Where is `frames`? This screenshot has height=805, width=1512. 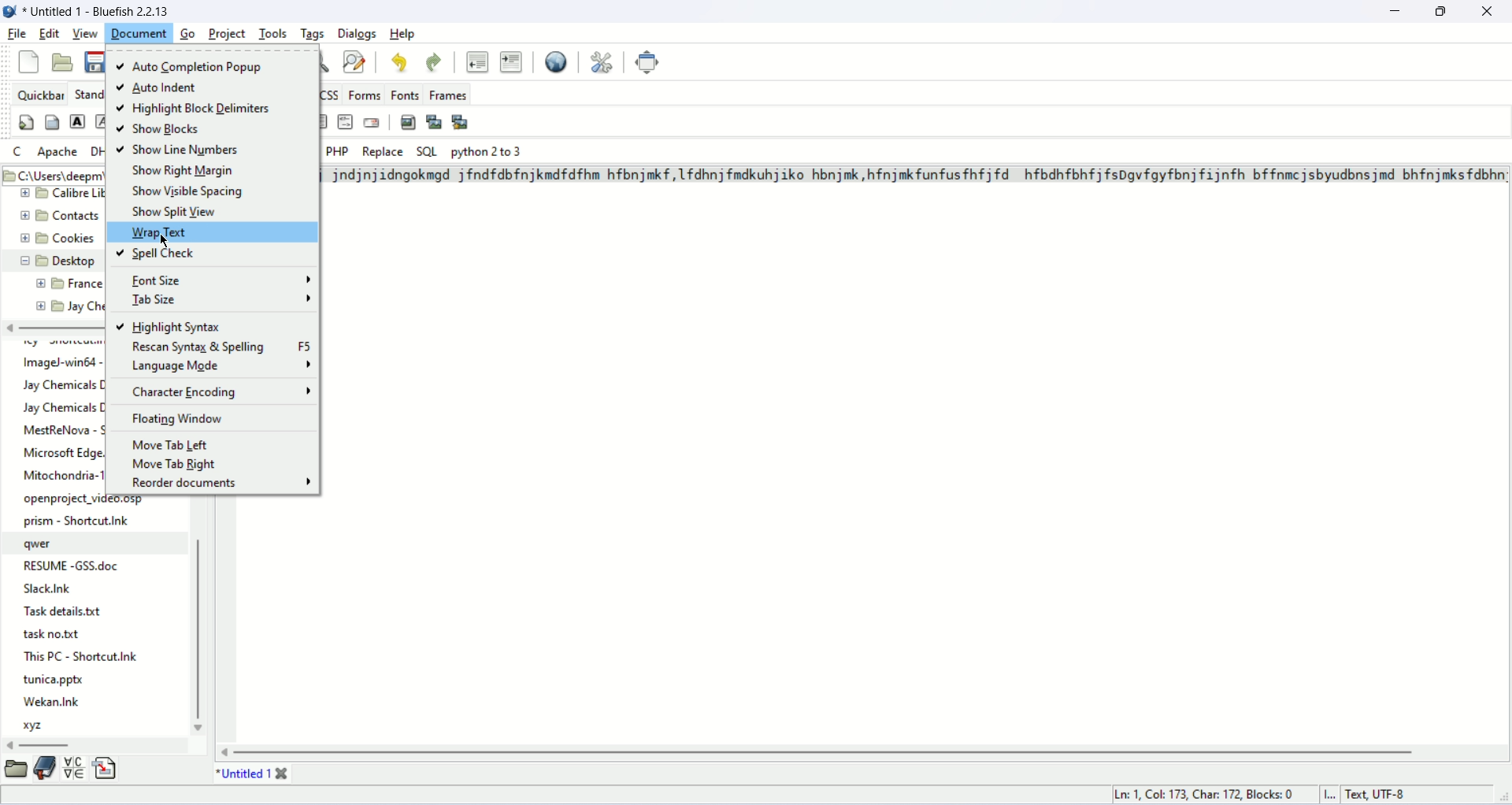 frames is located at coordinates (449, 97).